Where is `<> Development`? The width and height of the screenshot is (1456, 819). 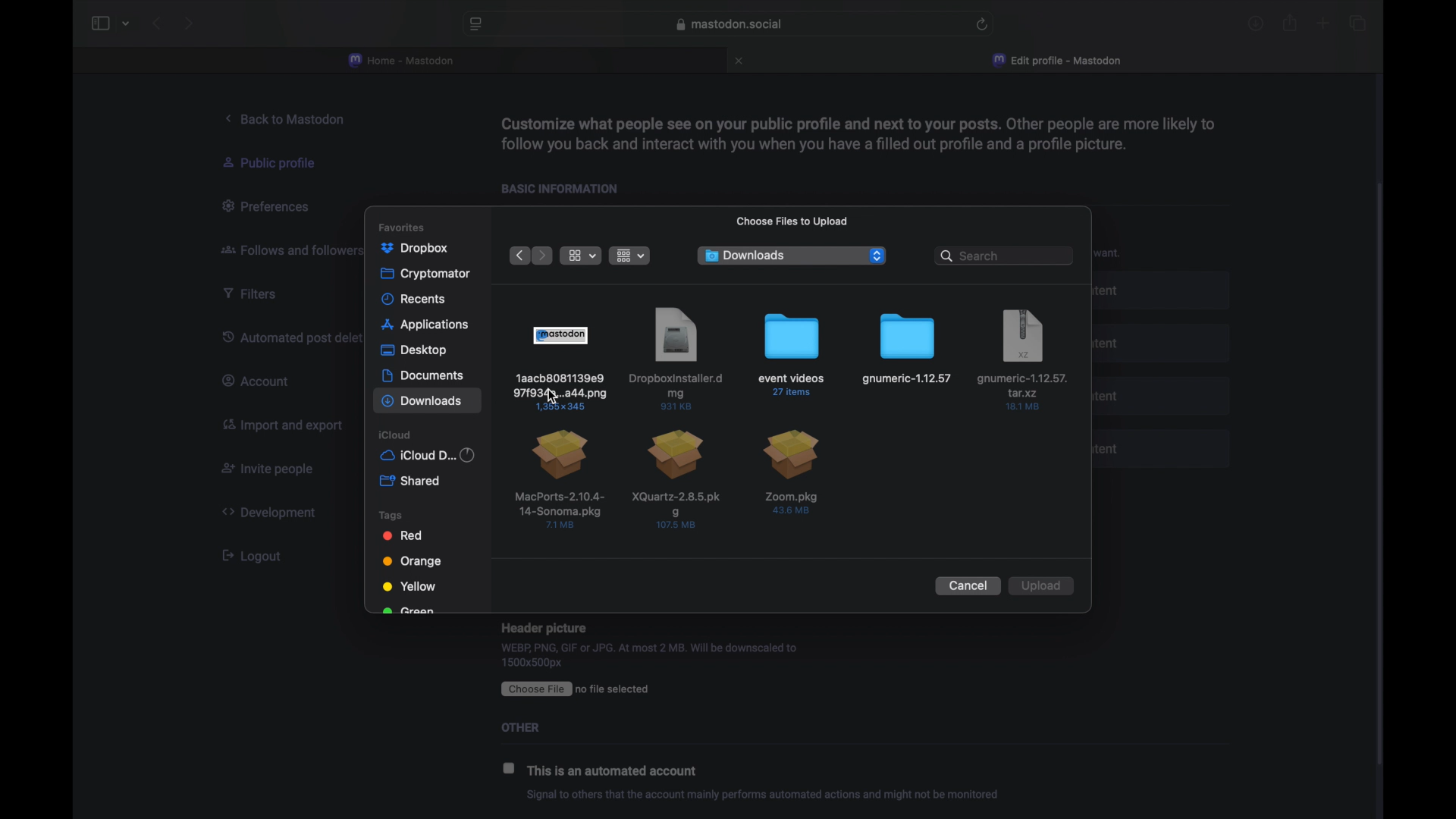 <> Development is located at coordinates (275, 512).